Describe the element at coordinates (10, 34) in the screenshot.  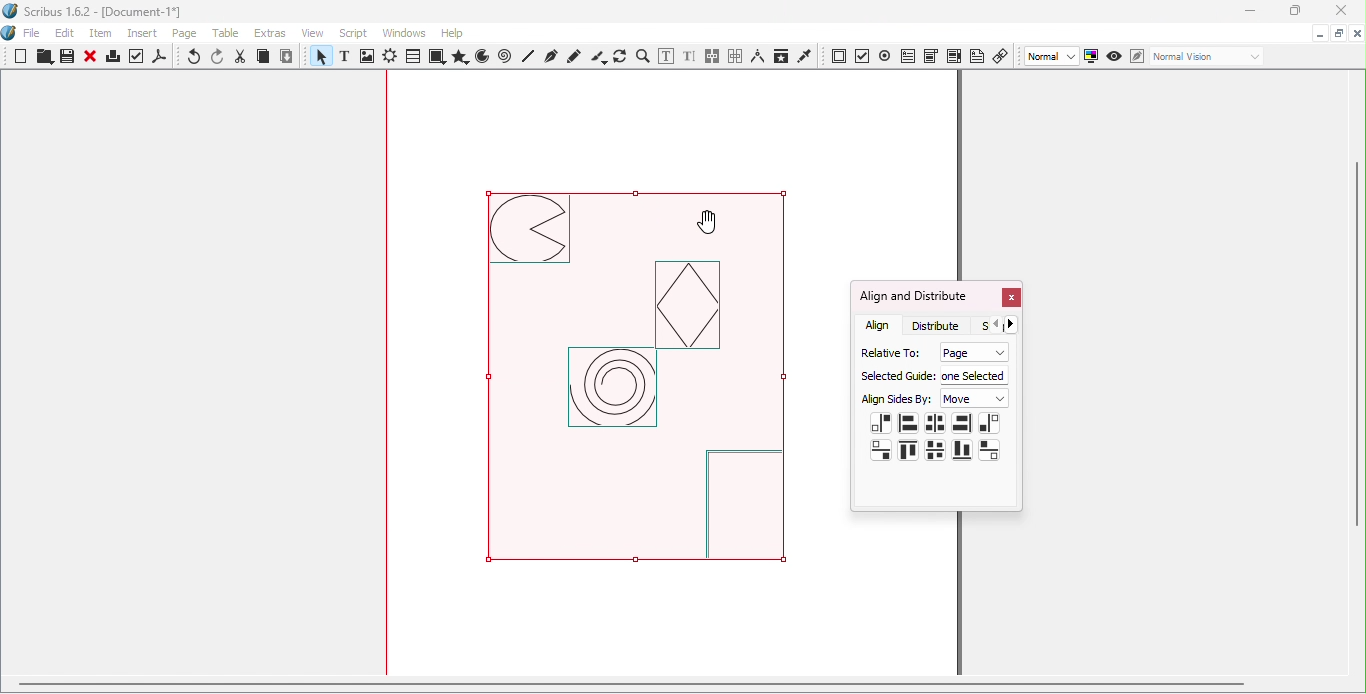
I see `Logo` at that location.